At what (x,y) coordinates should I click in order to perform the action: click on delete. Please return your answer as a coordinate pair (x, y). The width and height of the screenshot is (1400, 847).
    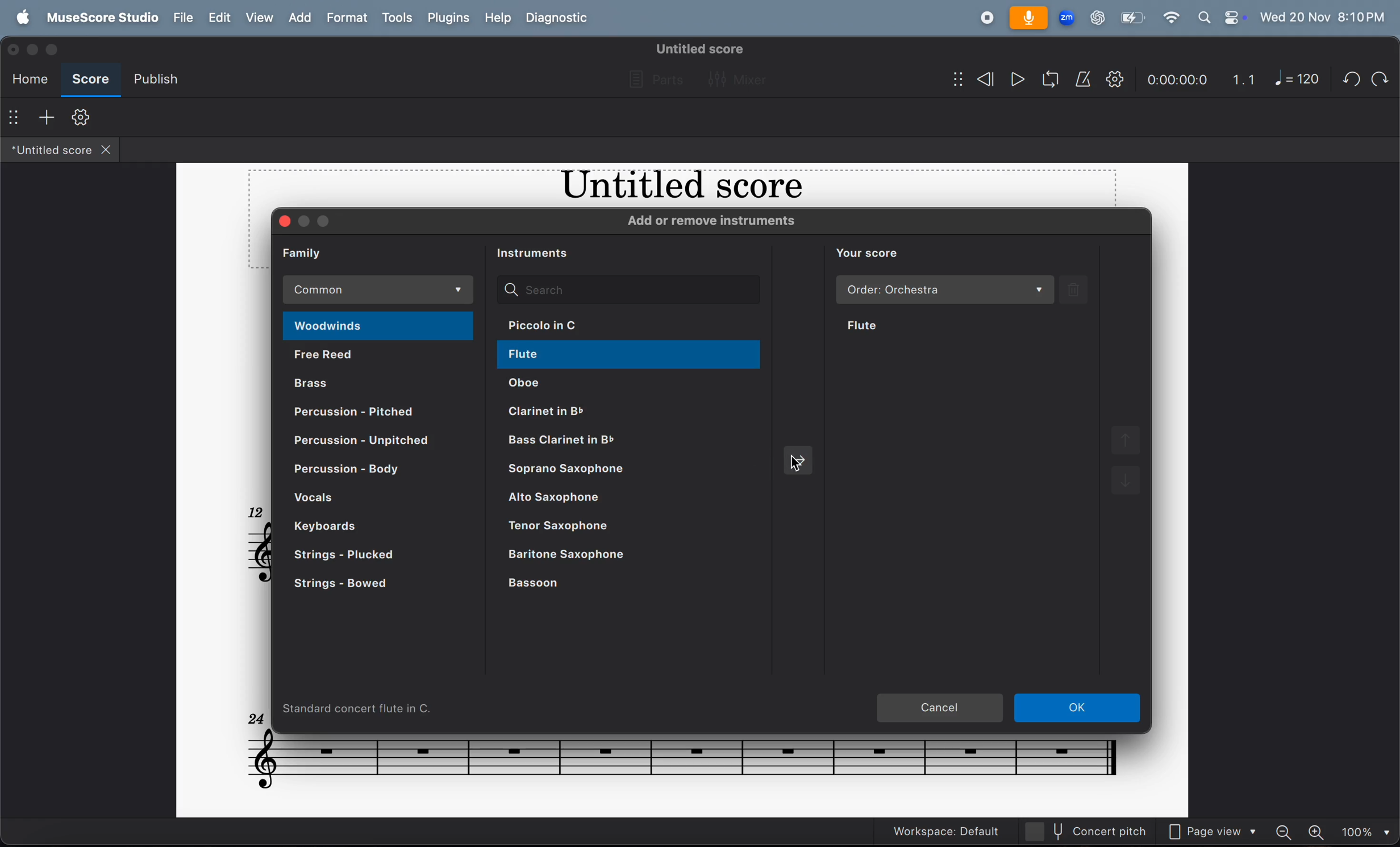
    Looking at the image, I should click on (1080, 290).